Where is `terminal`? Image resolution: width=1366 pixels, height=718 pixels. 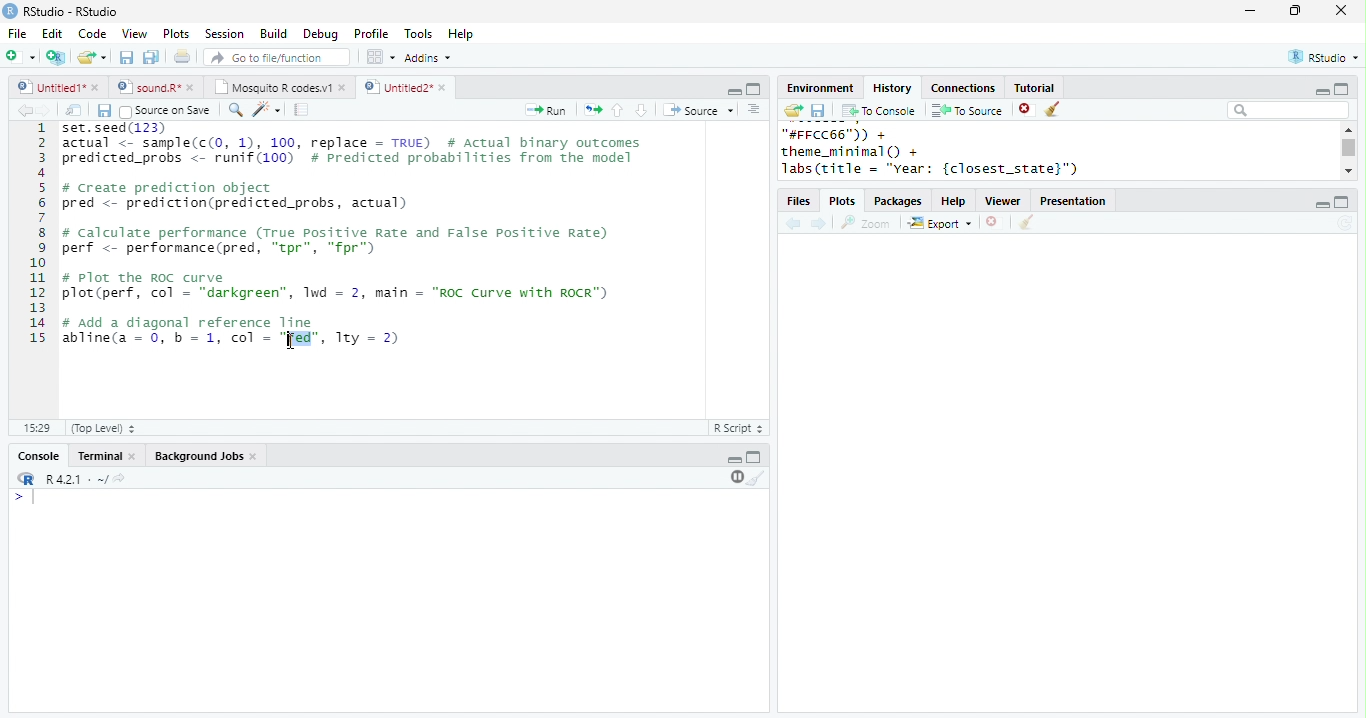
terminal is located at coordinates (97, 457).